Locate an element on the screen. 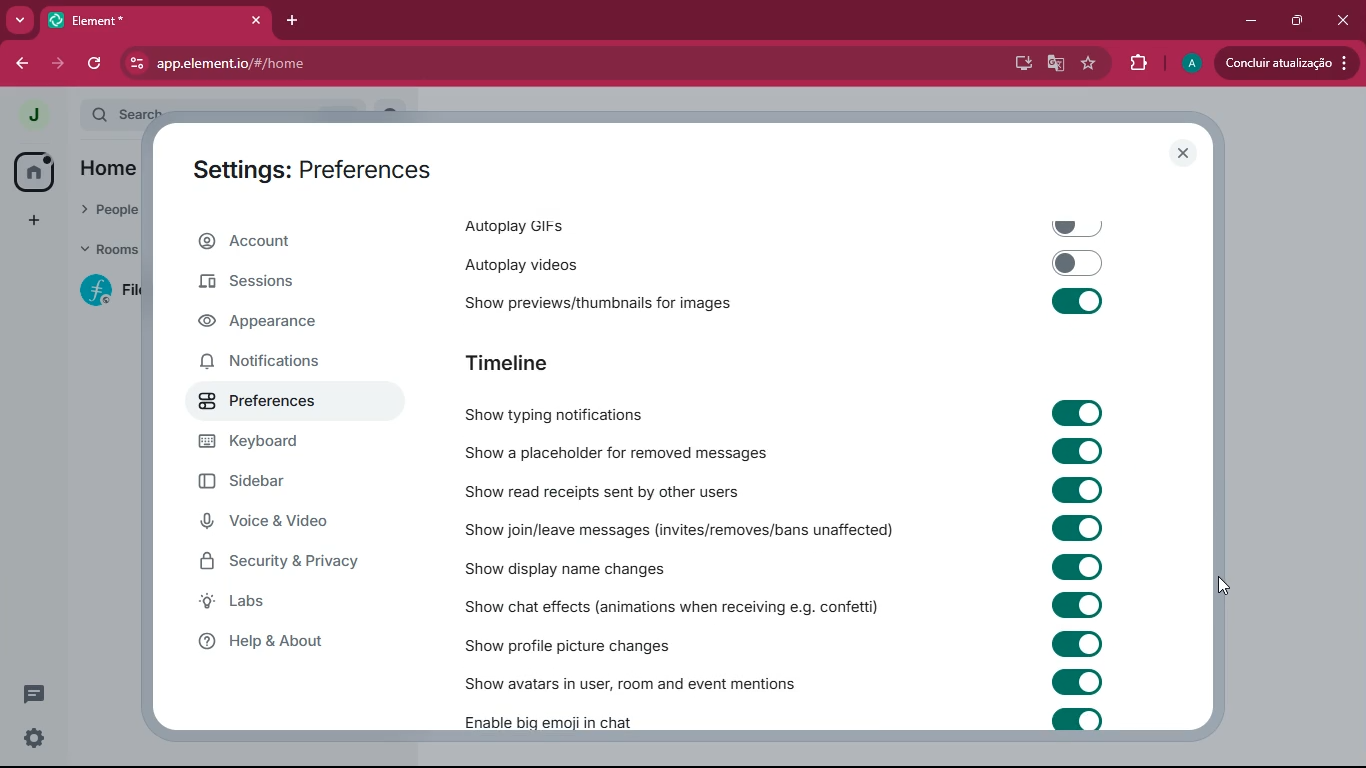 This screenshot has height=768, width=1366. Show display name changes is located at coordinates (783, 568).